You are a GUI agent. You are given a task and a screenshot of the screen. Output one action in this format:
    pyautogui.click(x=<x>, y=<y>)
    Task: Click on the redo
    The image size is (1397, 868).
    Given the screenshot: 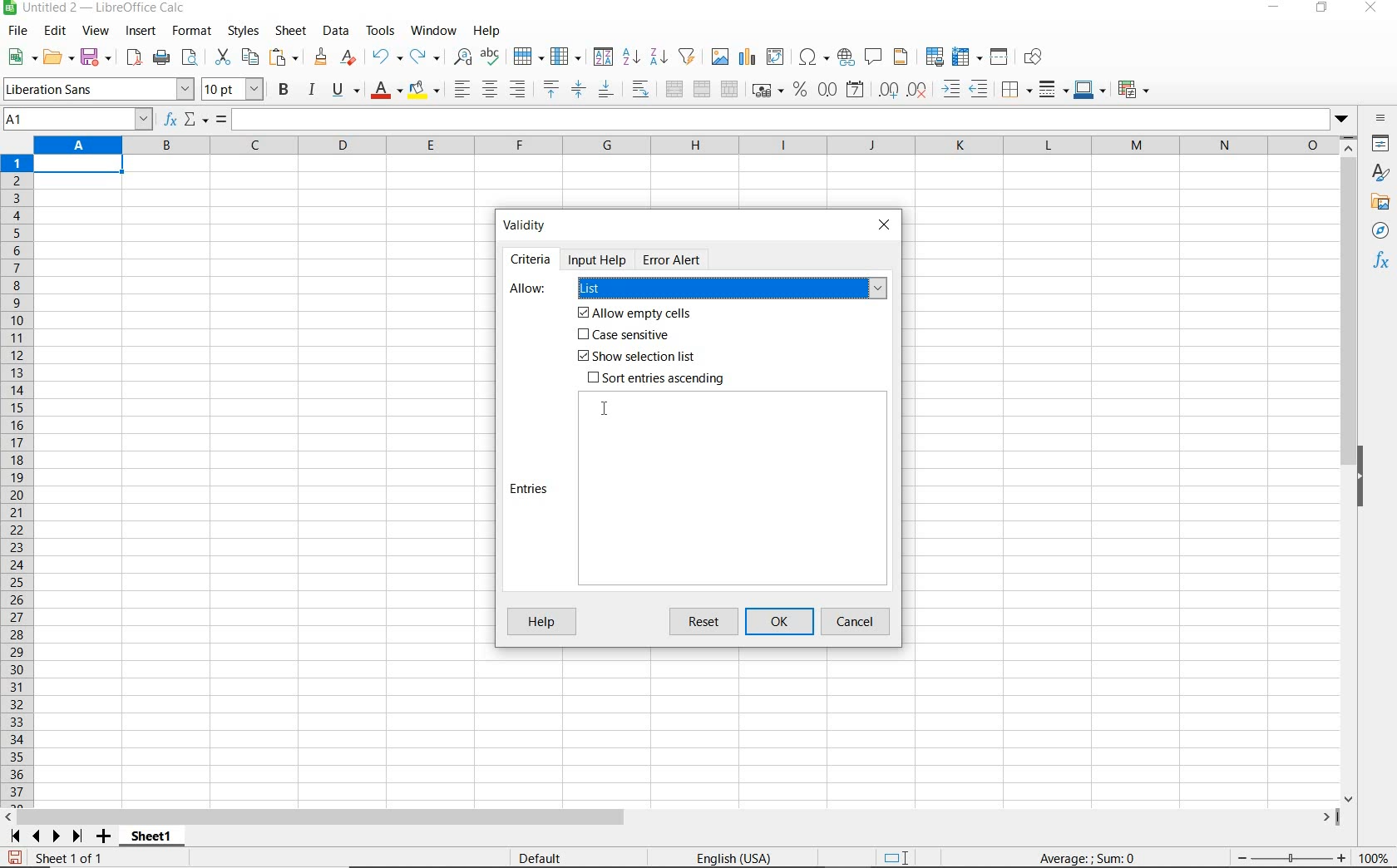 What is the action you would take?
    pyautogui.click(x=424, y=57)
    